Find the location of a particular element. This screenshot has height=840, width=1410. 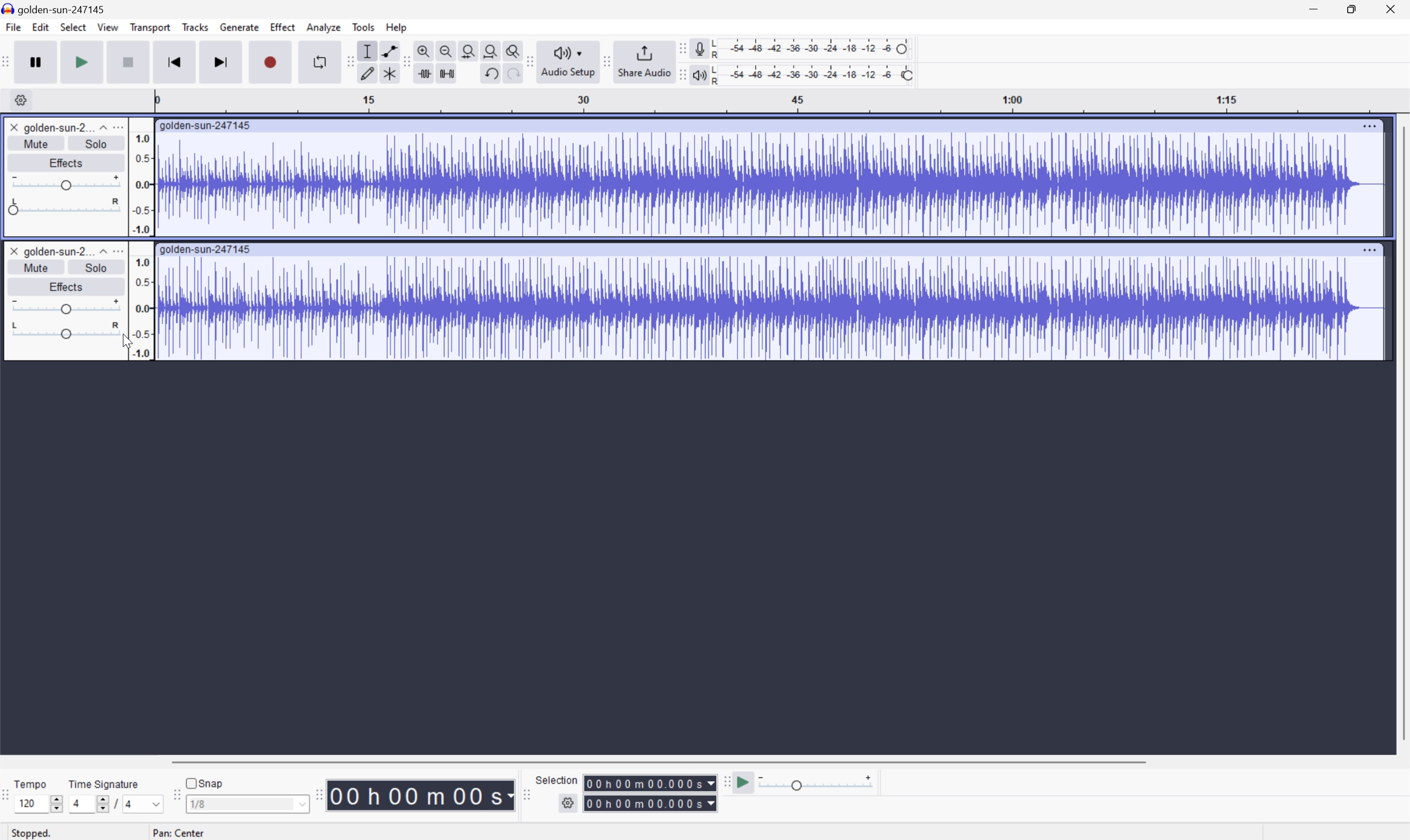

Pause is located at coordinates (40, 63).